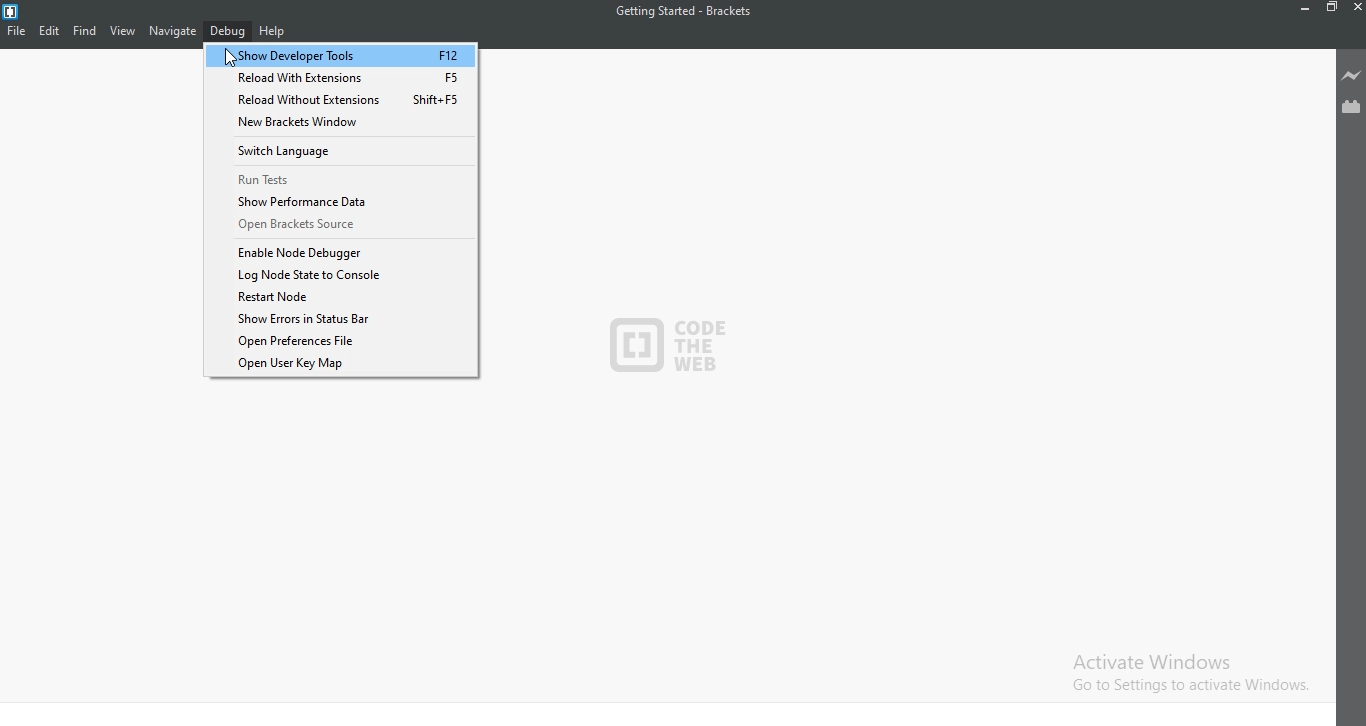  I want to click on Show Performance Data, so click(343, 201).